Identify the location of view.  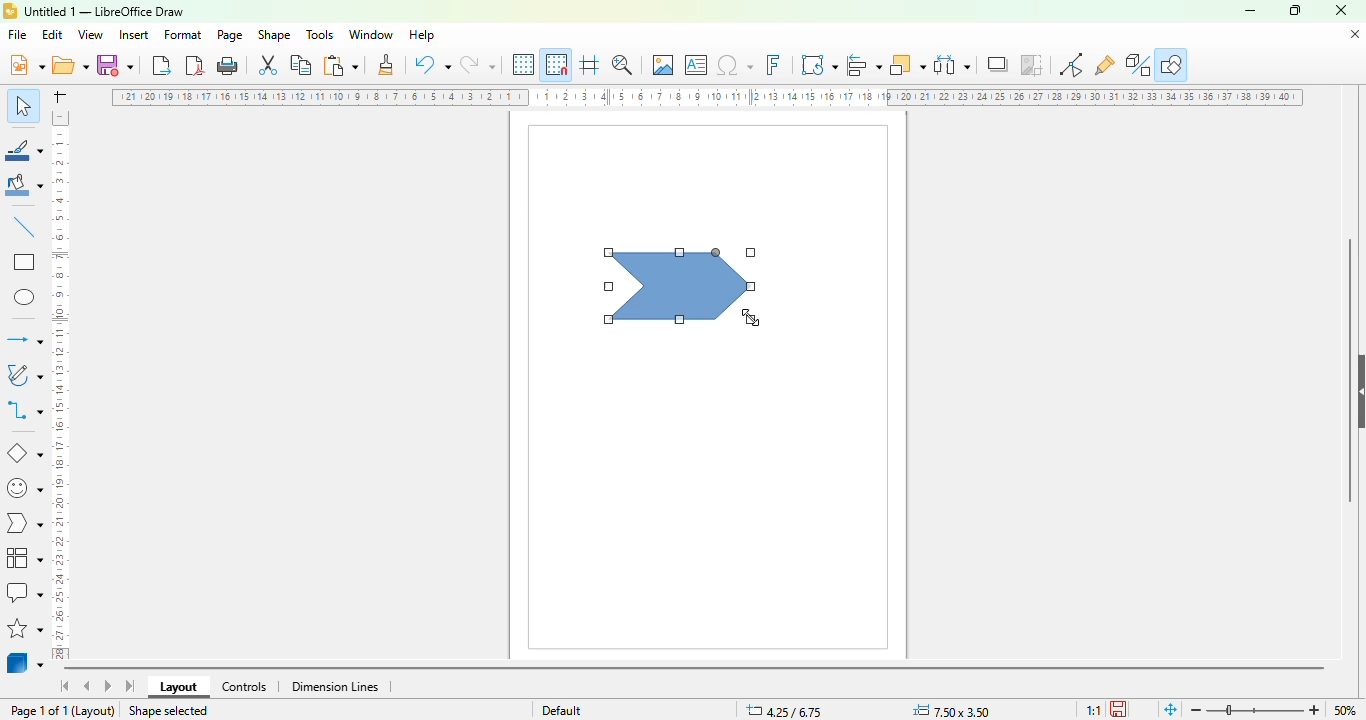
(90, 35).